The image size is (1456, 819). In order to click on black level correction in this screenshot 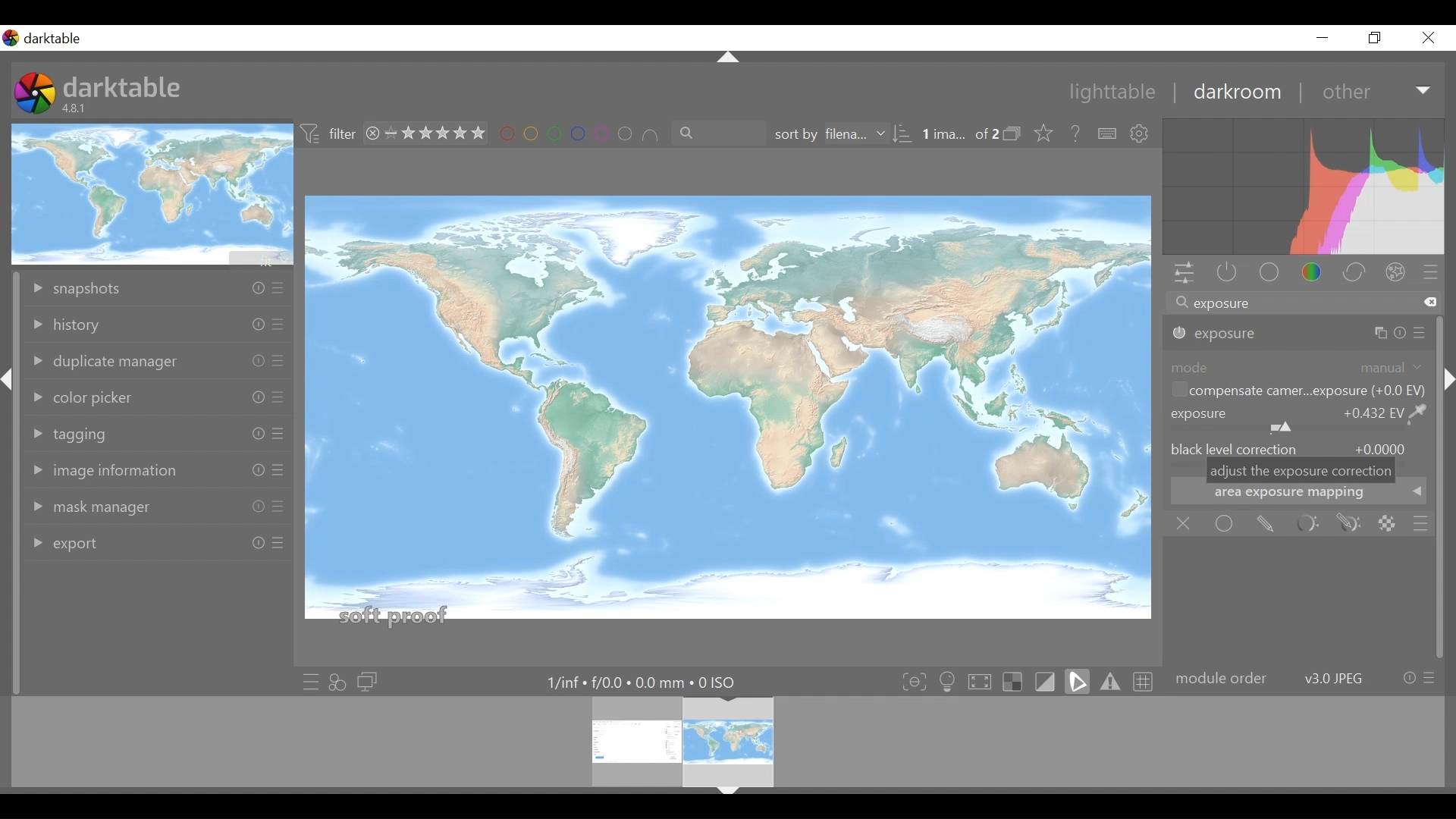, I will do `click(1298, 447)`.